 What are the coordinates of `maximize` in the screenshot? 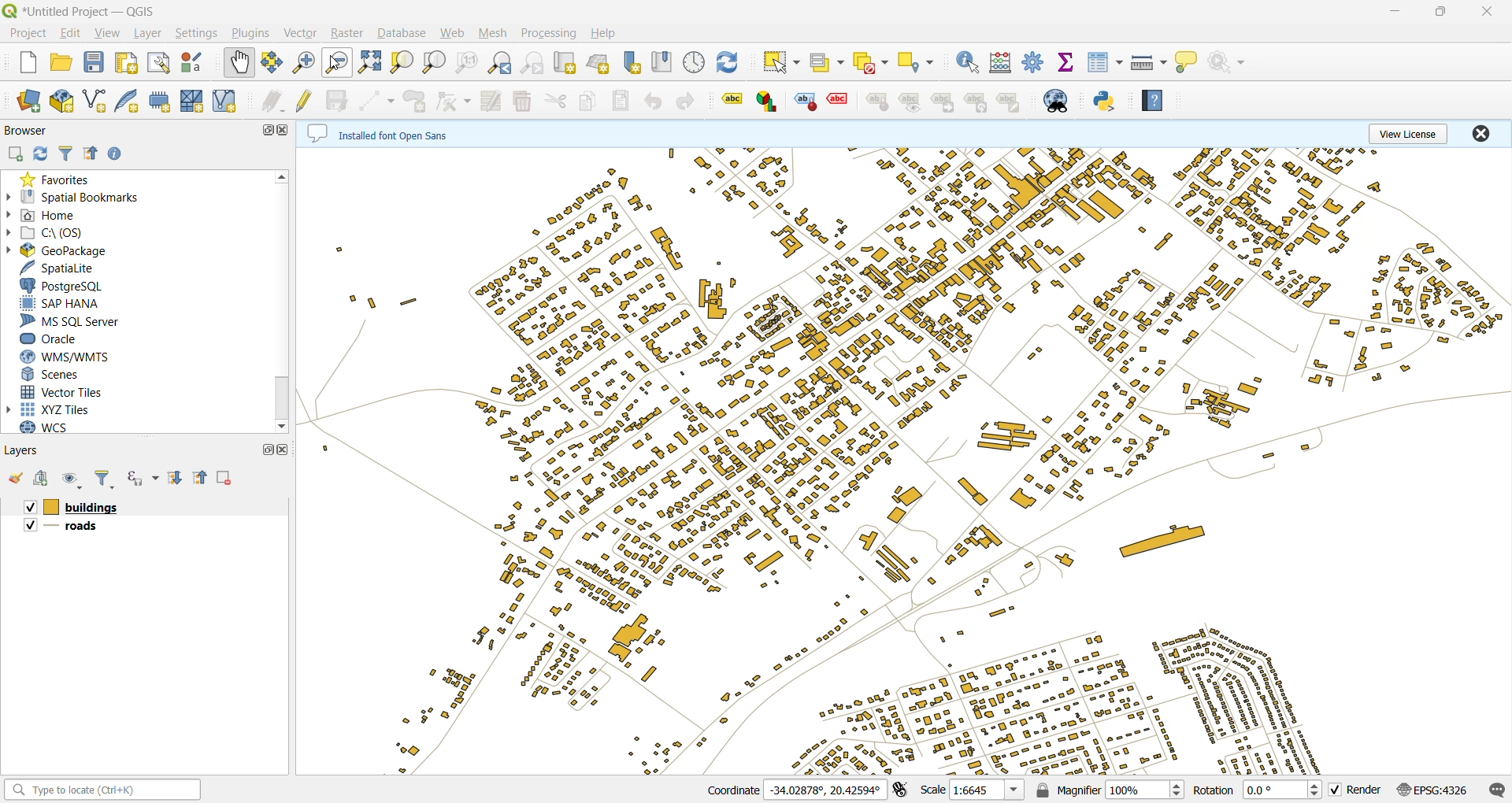 It's located at (1446, 13).